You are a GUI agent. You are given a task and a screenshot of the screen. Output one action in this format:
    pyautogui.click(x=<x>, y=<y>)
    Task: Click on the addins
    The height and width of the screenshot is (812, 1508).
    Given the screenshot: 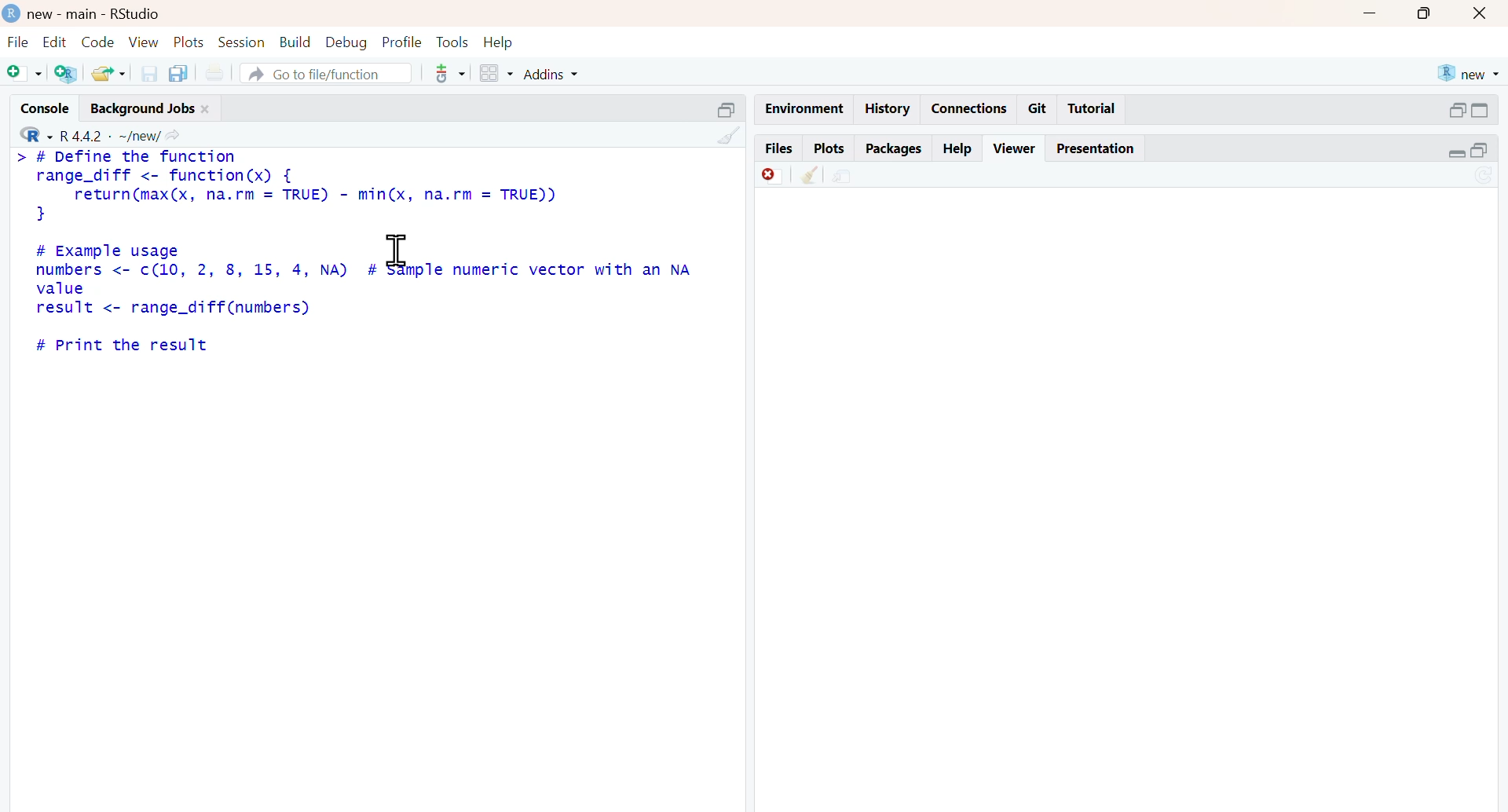 What is the action you would take?
    pyautogui.click(x=553, y=75)
    